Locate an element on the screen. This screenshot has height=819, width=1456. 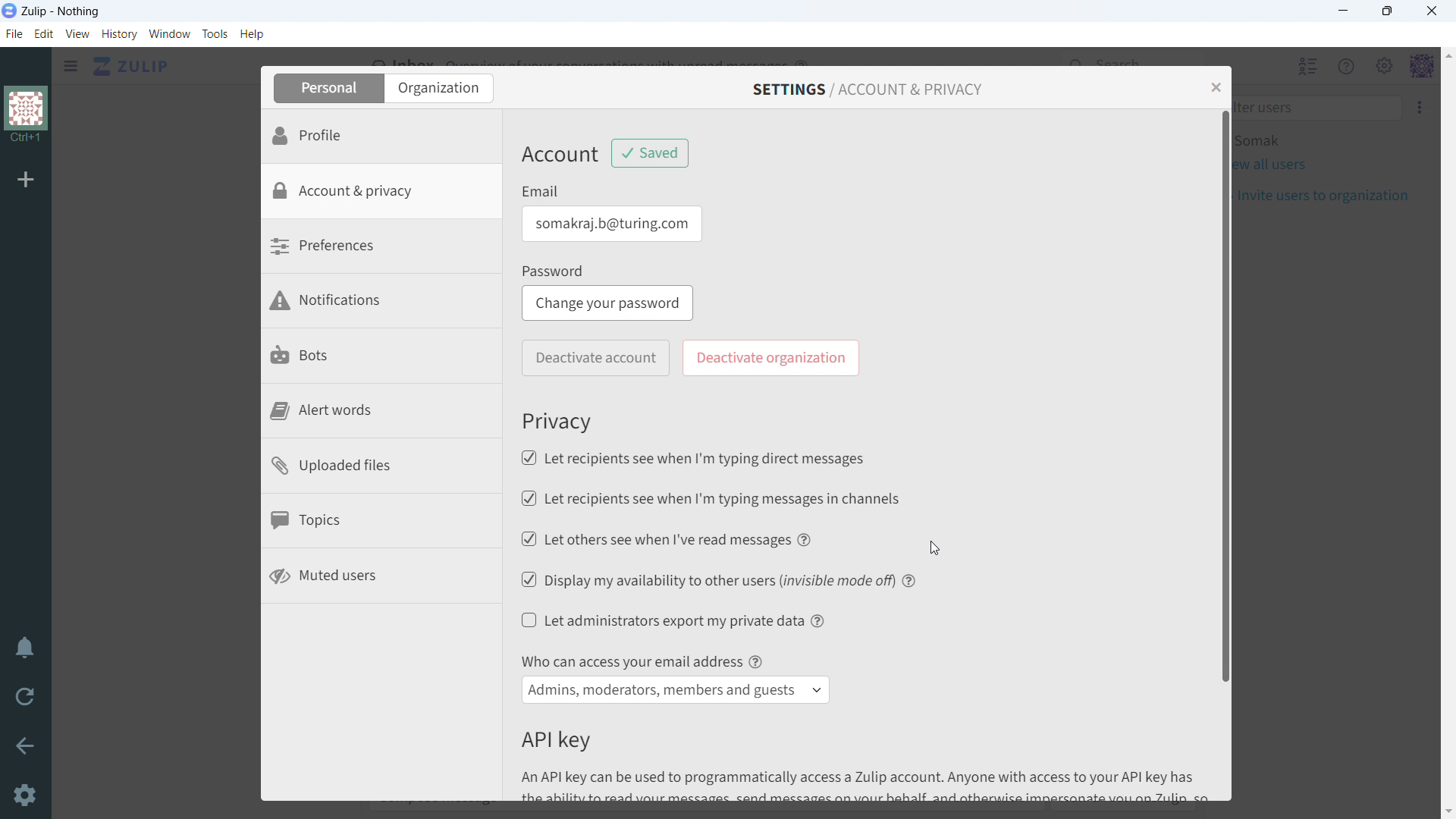
More is located at coordinates (1422, 107).